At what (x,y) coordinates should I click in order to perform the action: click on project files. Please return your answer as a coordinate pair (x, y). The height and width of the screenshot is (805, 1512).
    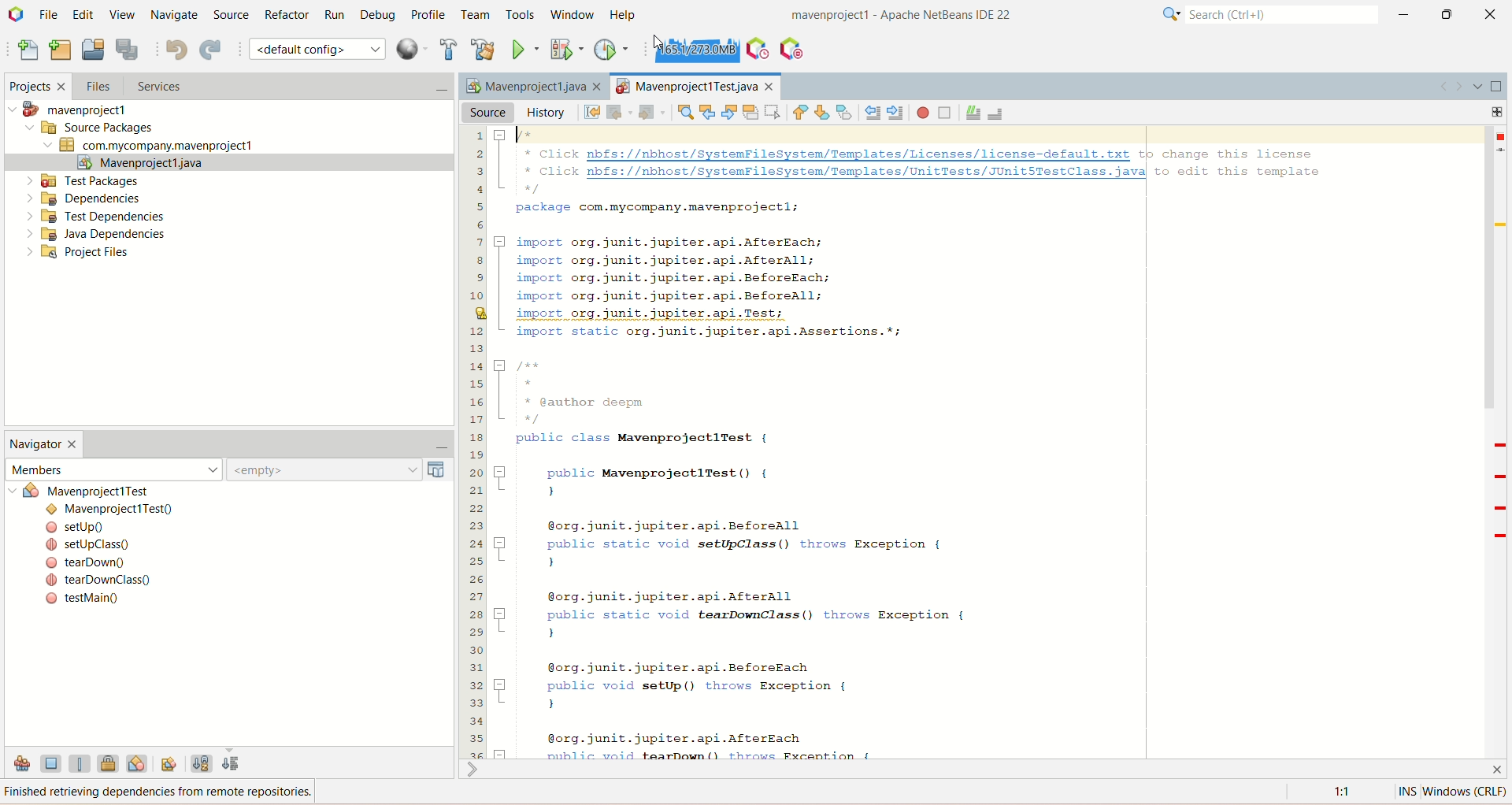
    Looking at the image, I should click on (87, 253).